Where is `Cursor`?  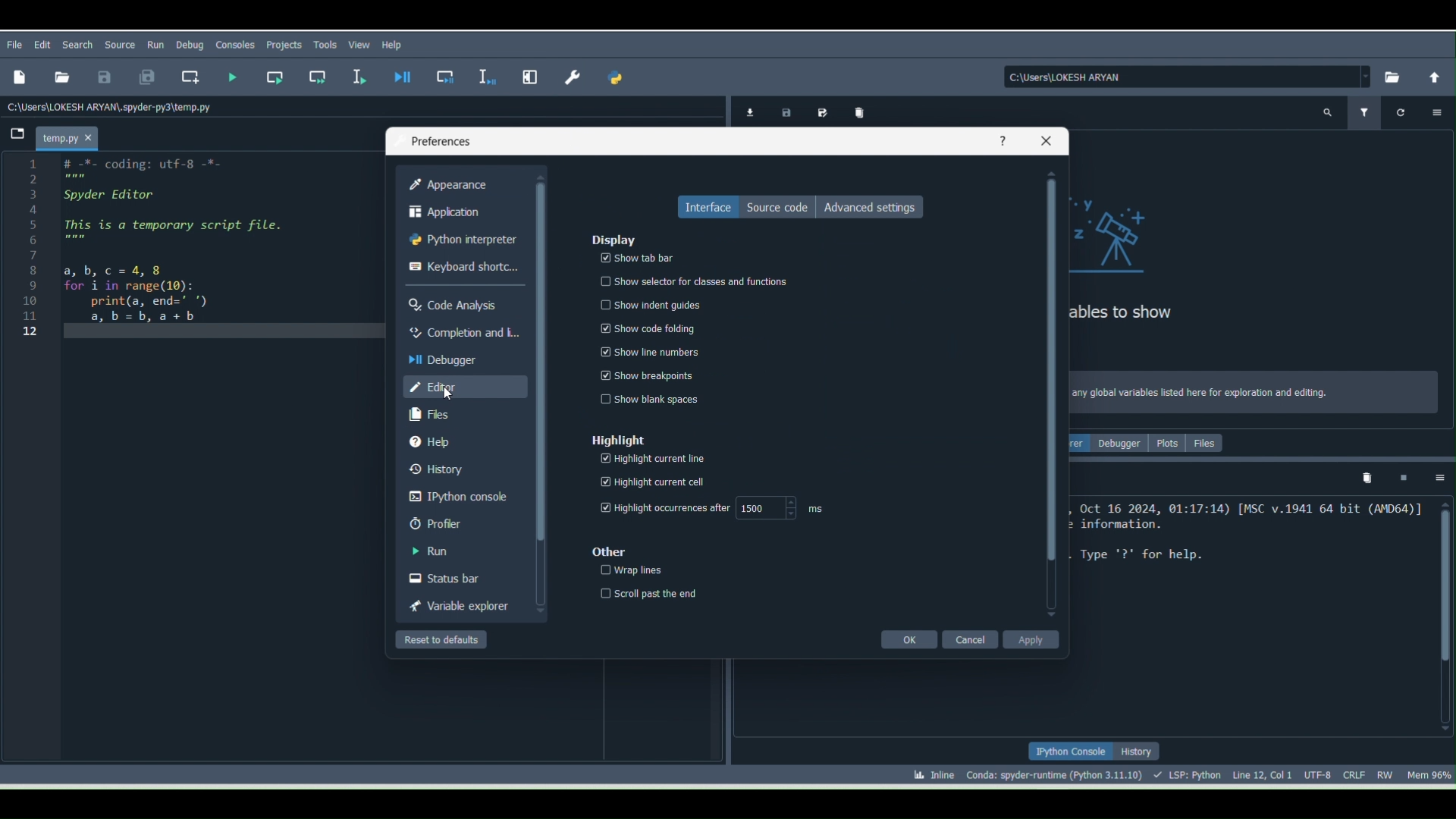 Cursor is located at coordinates (446, 396).